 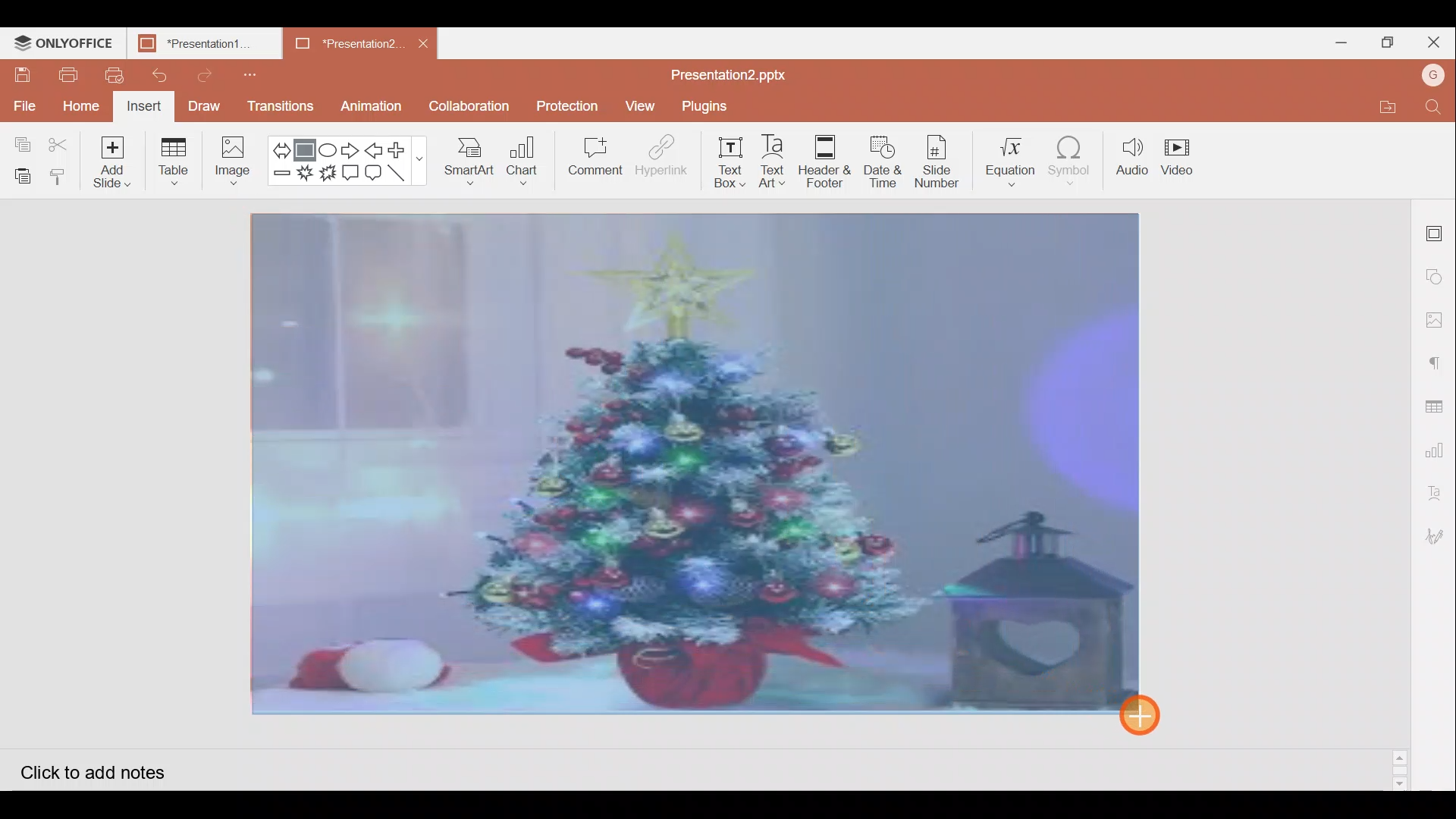 I want to click on Hyperlink, so click(x=661, y=158).